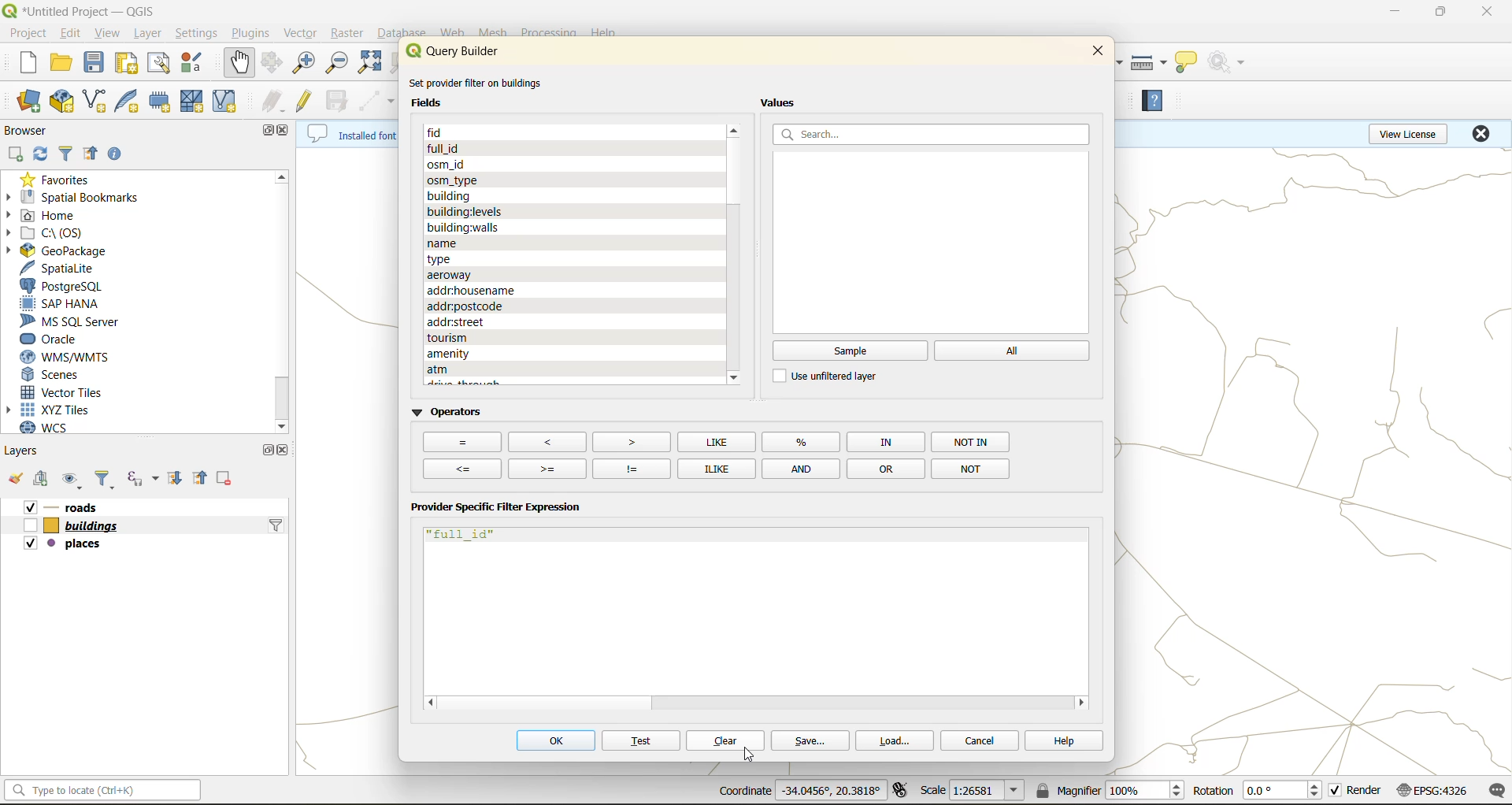 The width and height of the screenshot is (1512, 805). Describe the element at coordinates (448, 414) in the screenshot. I see `operators` at that location.